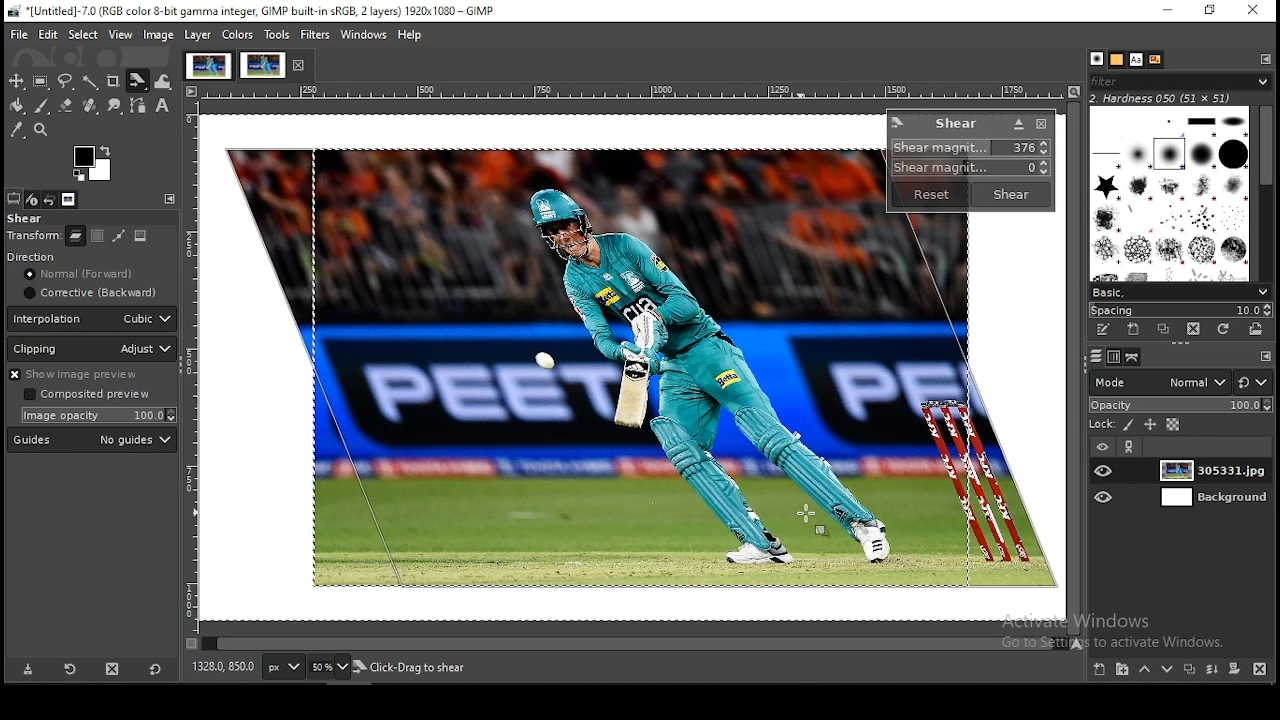 The image size is (1280, 720). What do you see at coordinates (1153, 426) in the screenshot?
I see `lock position and size` at bounding box center [1153, 426].